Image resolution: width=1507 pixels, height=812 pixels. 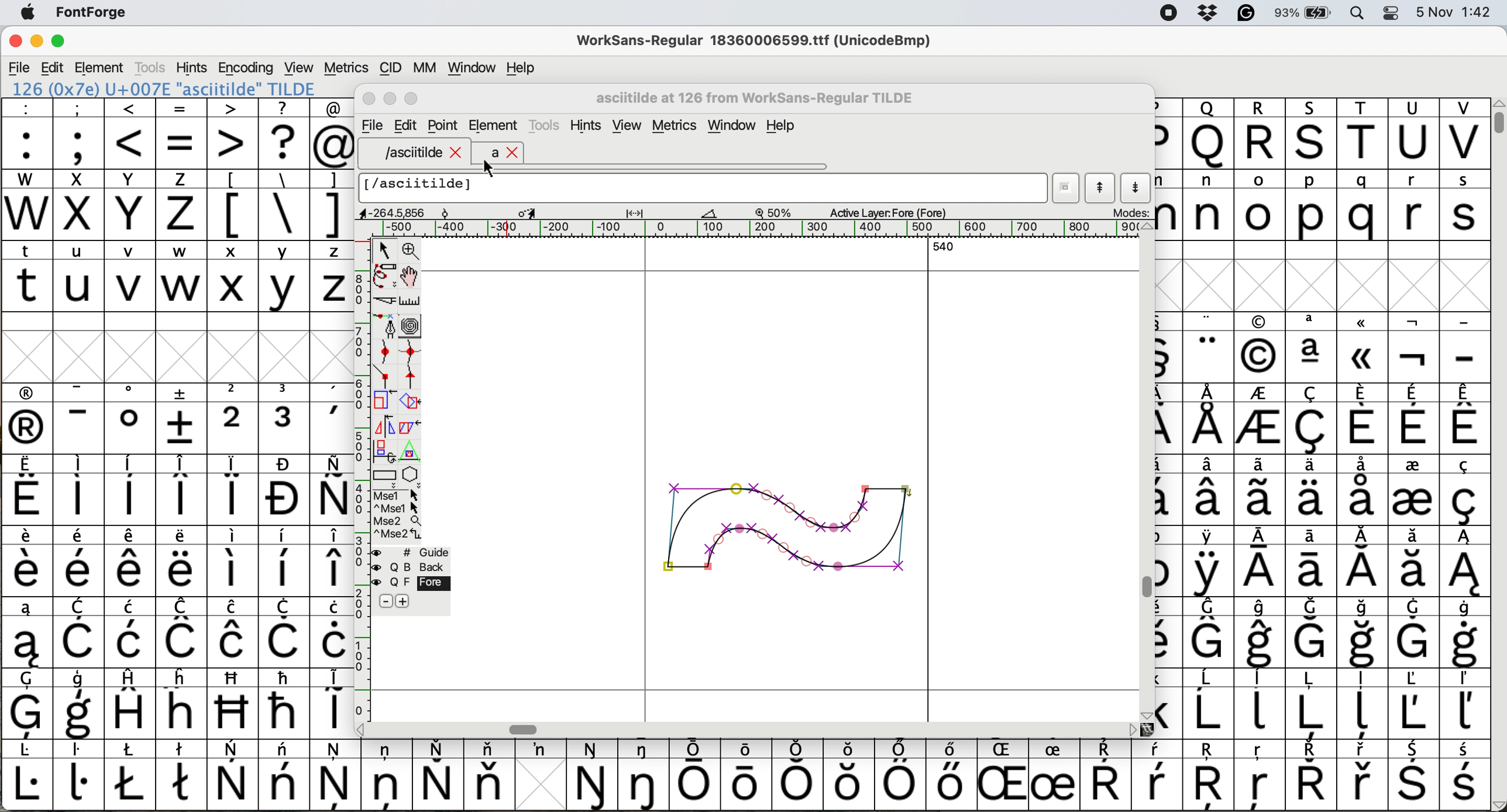 I want to click on zoom in, so click(x=413, y=252).